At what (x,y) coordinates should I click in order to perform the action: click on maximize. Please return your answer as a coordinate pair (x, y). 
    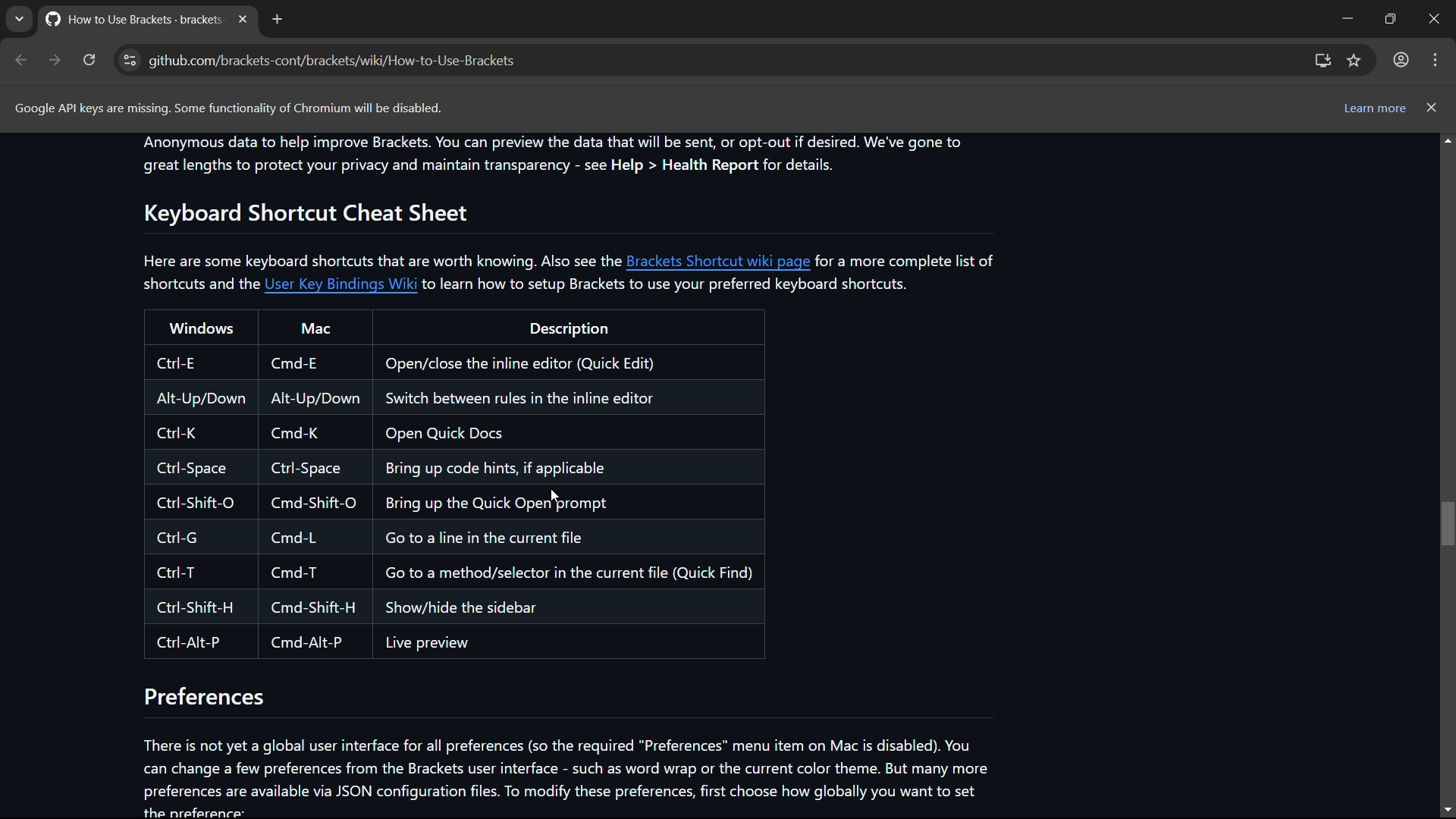
    Looking at the image, I should click on (1389, 17).